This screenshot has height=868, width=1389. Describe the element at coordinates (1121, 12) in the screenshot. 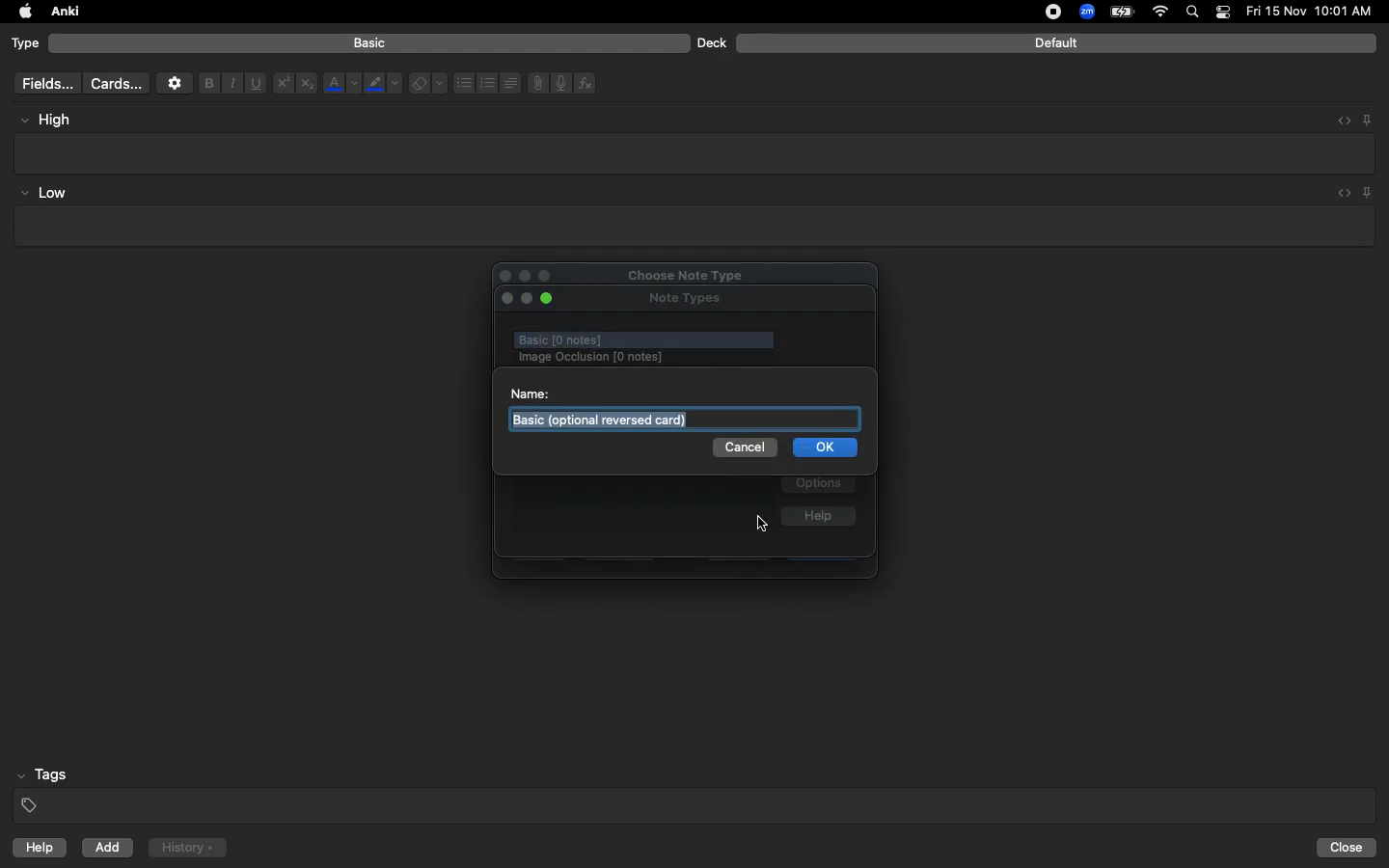

I see `Charge` at that location.